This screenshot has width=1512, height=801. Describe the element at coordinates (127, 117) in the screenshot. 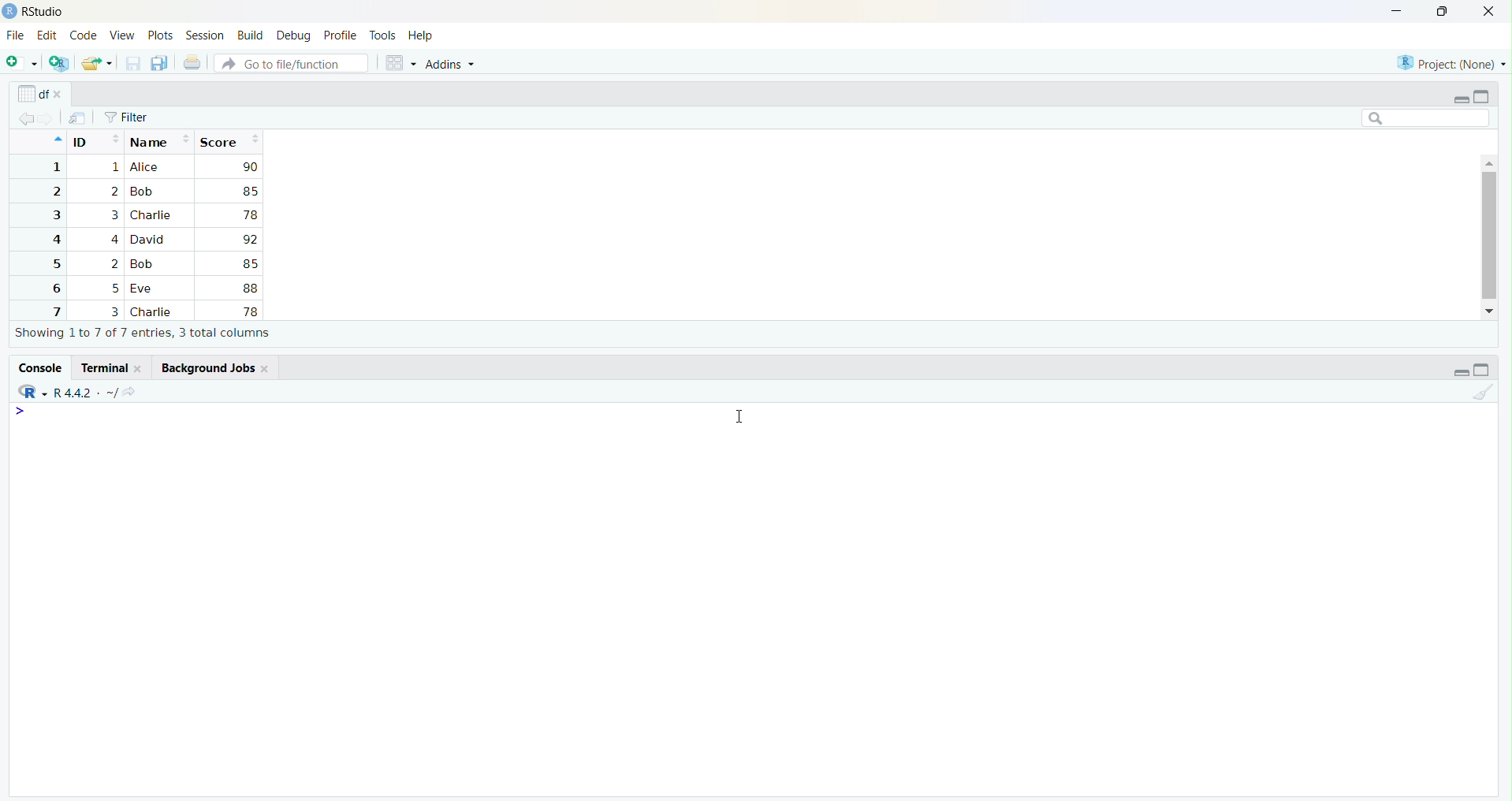

I see `filter` at that location.